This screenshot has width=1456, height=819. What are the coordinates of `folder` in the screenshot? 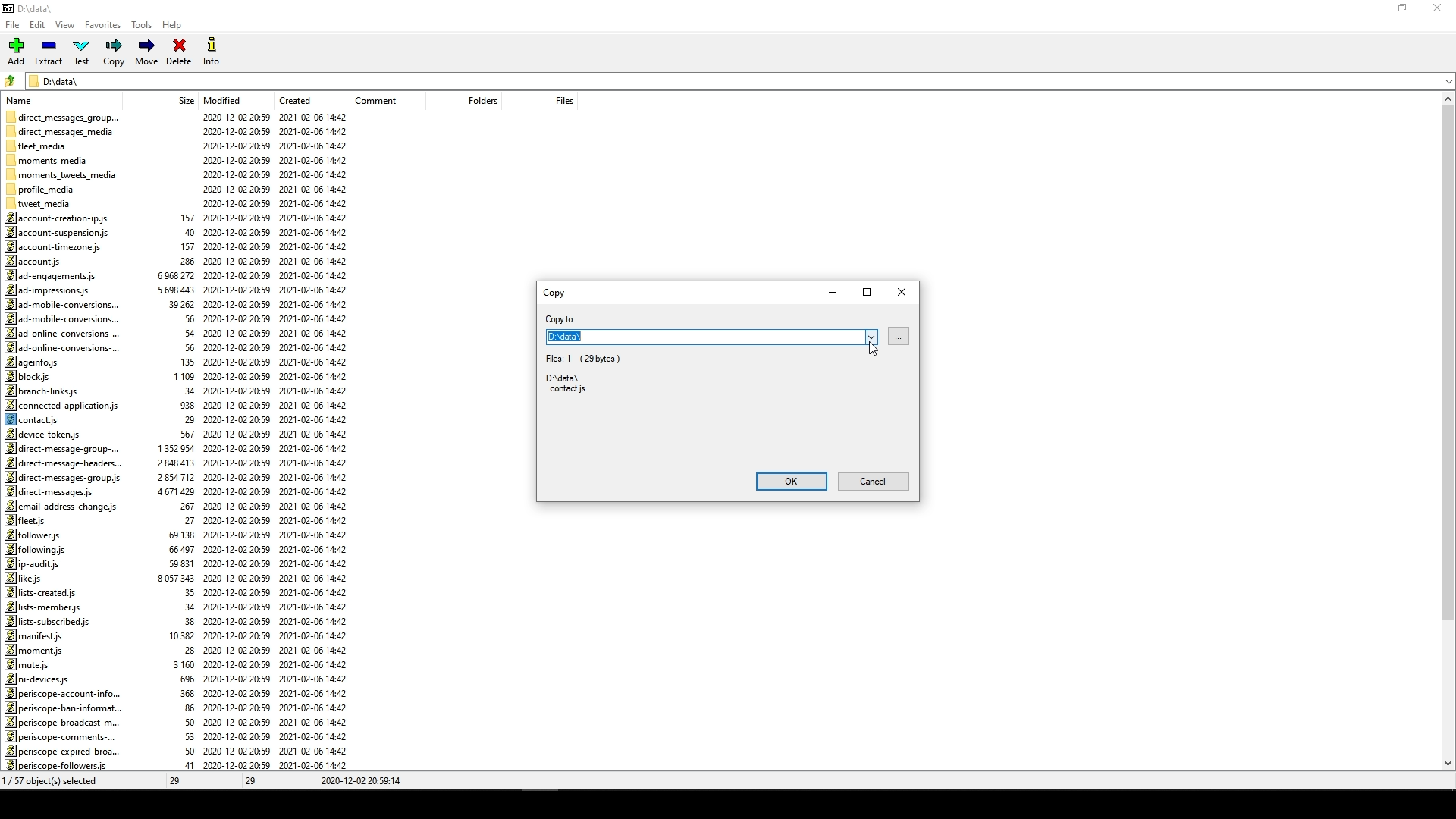 It's located at (11, 79).